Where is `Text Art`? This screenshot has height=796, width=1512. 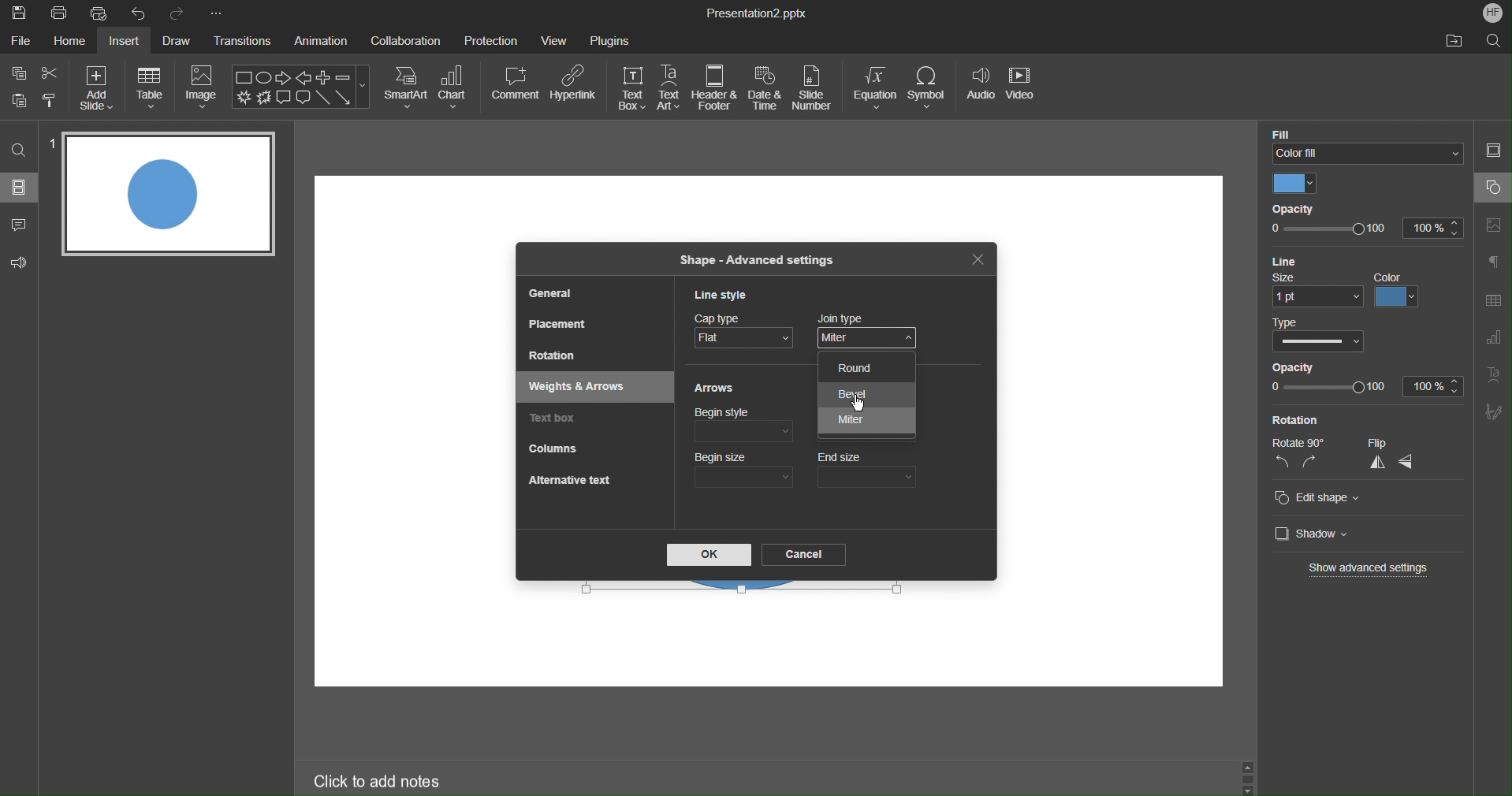 Text Art is located at coordinates (670, 88).